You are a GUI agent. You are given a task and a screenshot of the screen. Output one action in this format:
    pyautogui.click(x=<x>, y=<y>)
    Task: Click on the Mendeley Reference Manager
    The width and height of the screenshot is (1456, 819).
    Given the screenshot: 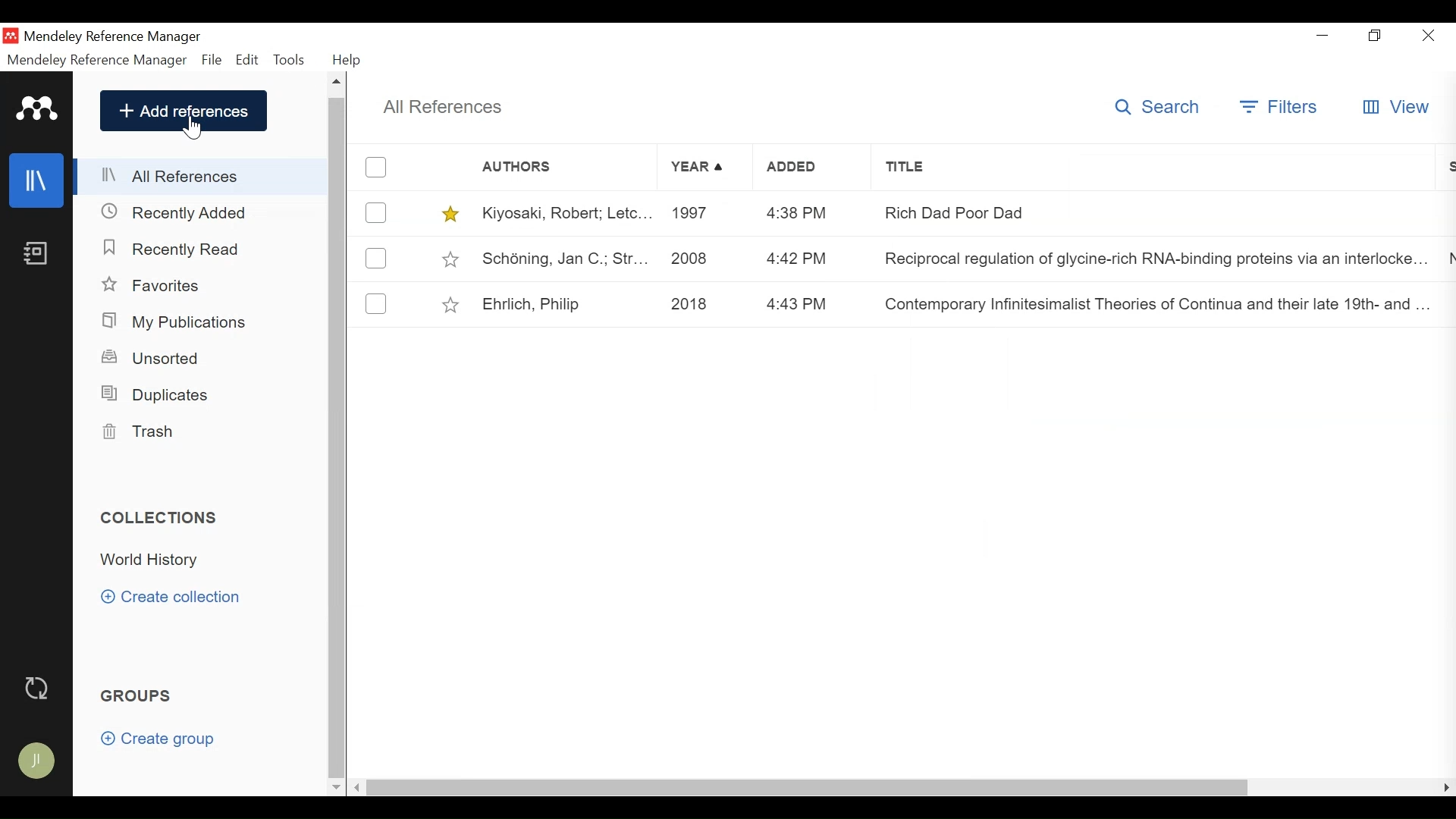 What is the action you would take?
    pyautogui.click(x=98, y=60)
    